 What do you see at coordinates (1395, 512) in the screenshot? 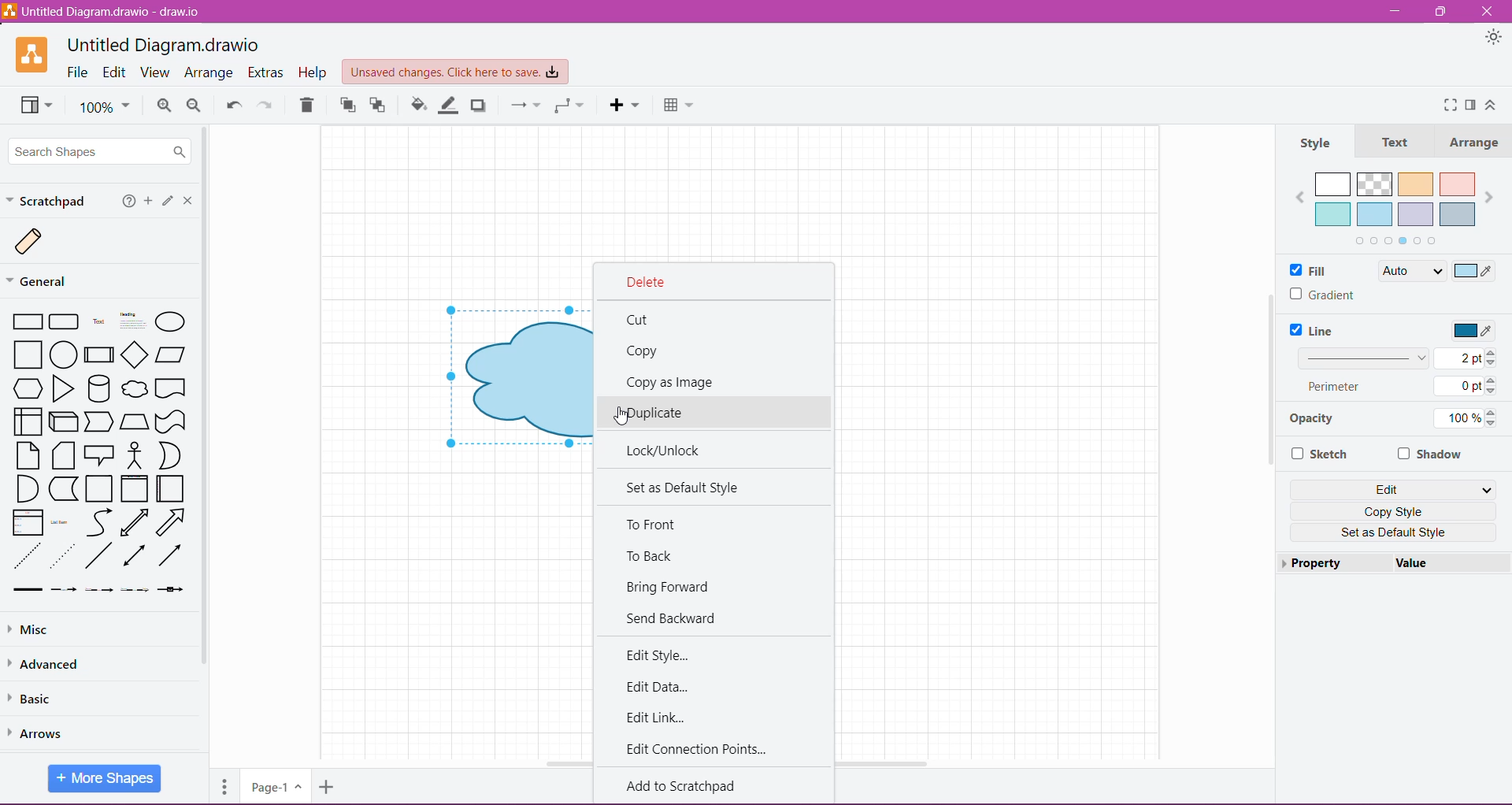
I see `Copy Style` at bounding box center [1395, 512].